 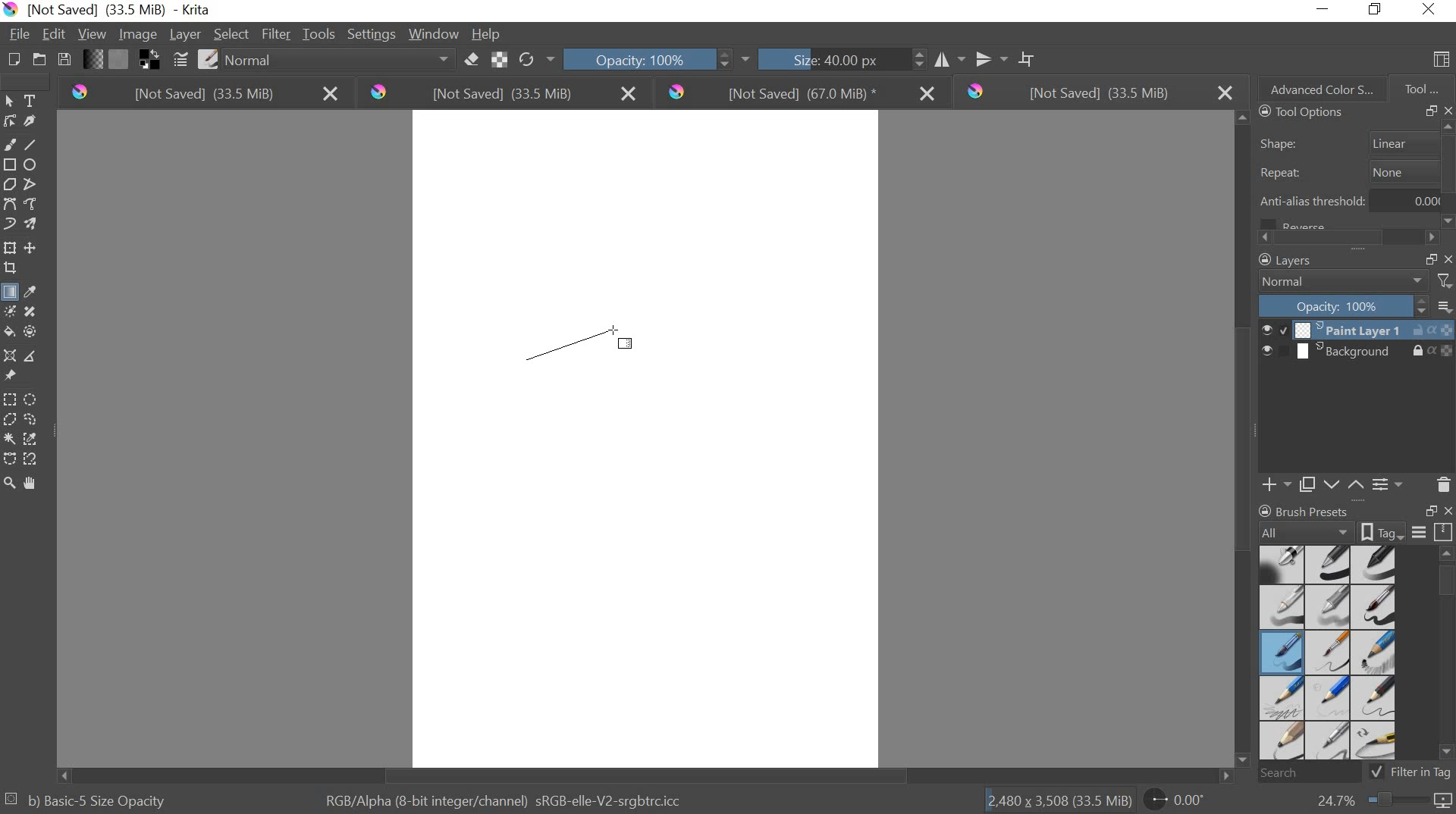 What do you see at coordinates (9, 293) in the screenshot?
I see `gradient fill` at bounding box center [9, 293].